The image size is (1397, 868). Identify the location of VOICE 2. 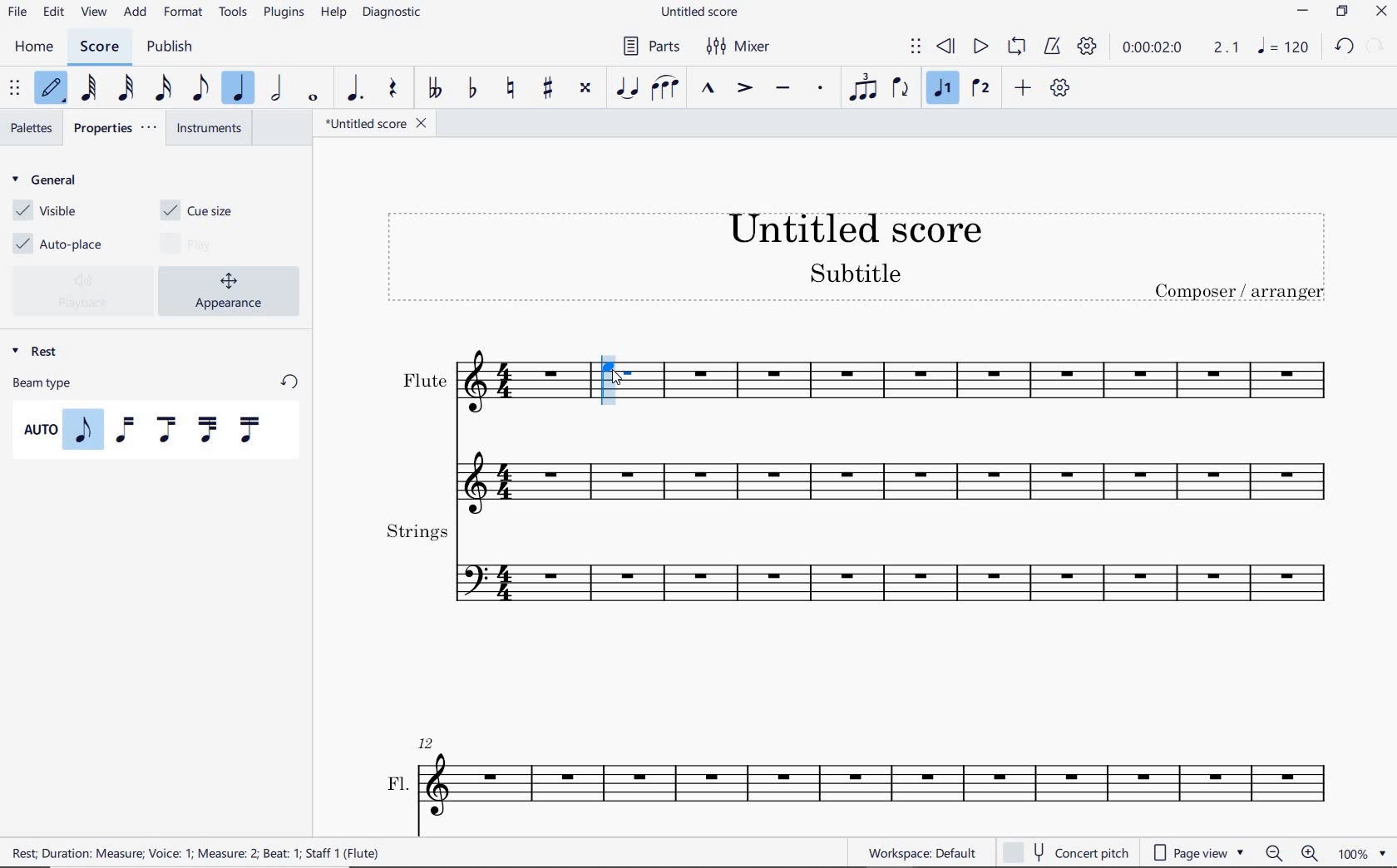
(980, 89).